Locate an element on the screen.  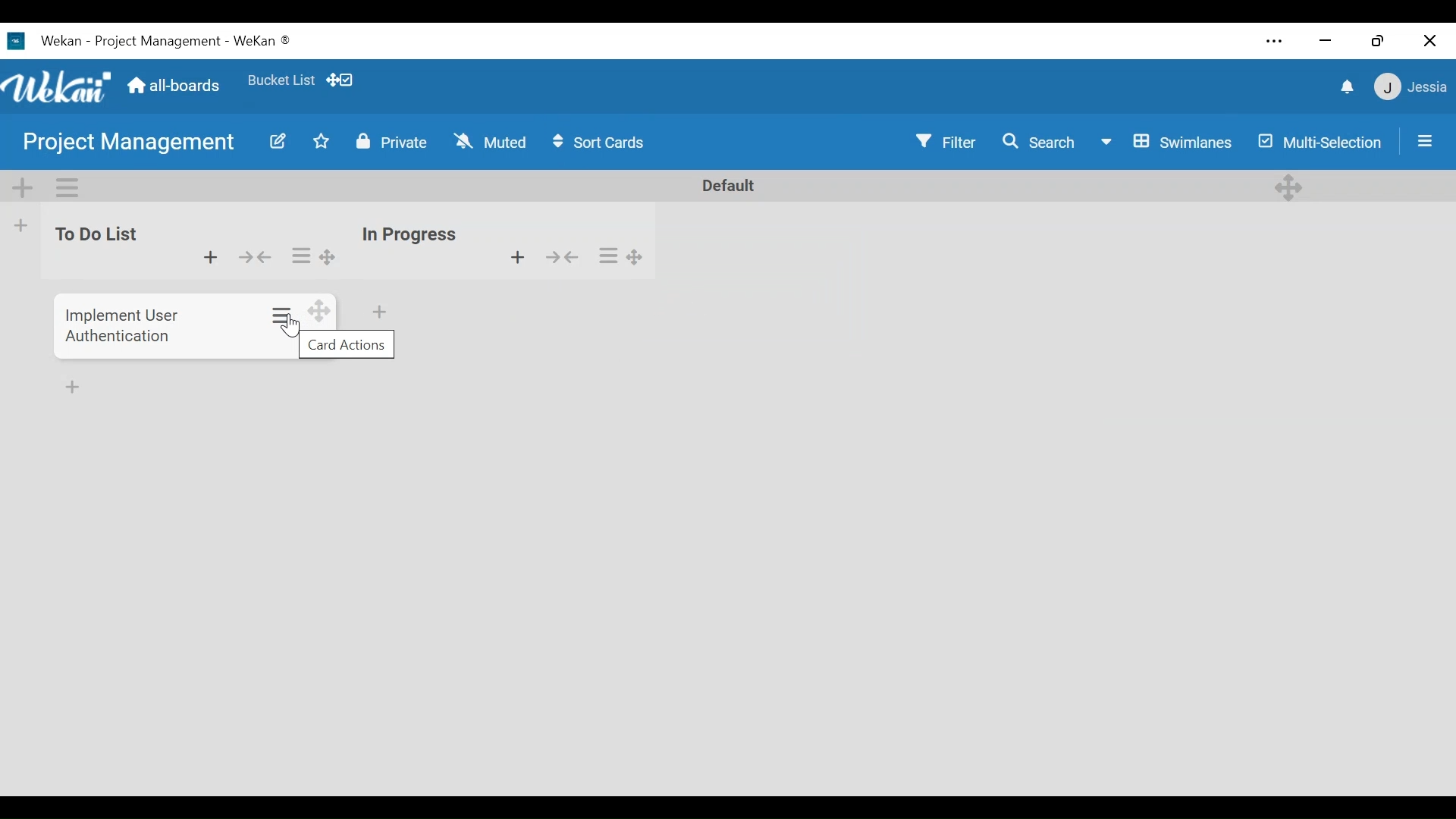
Add list is located at coordinates (22, 224).